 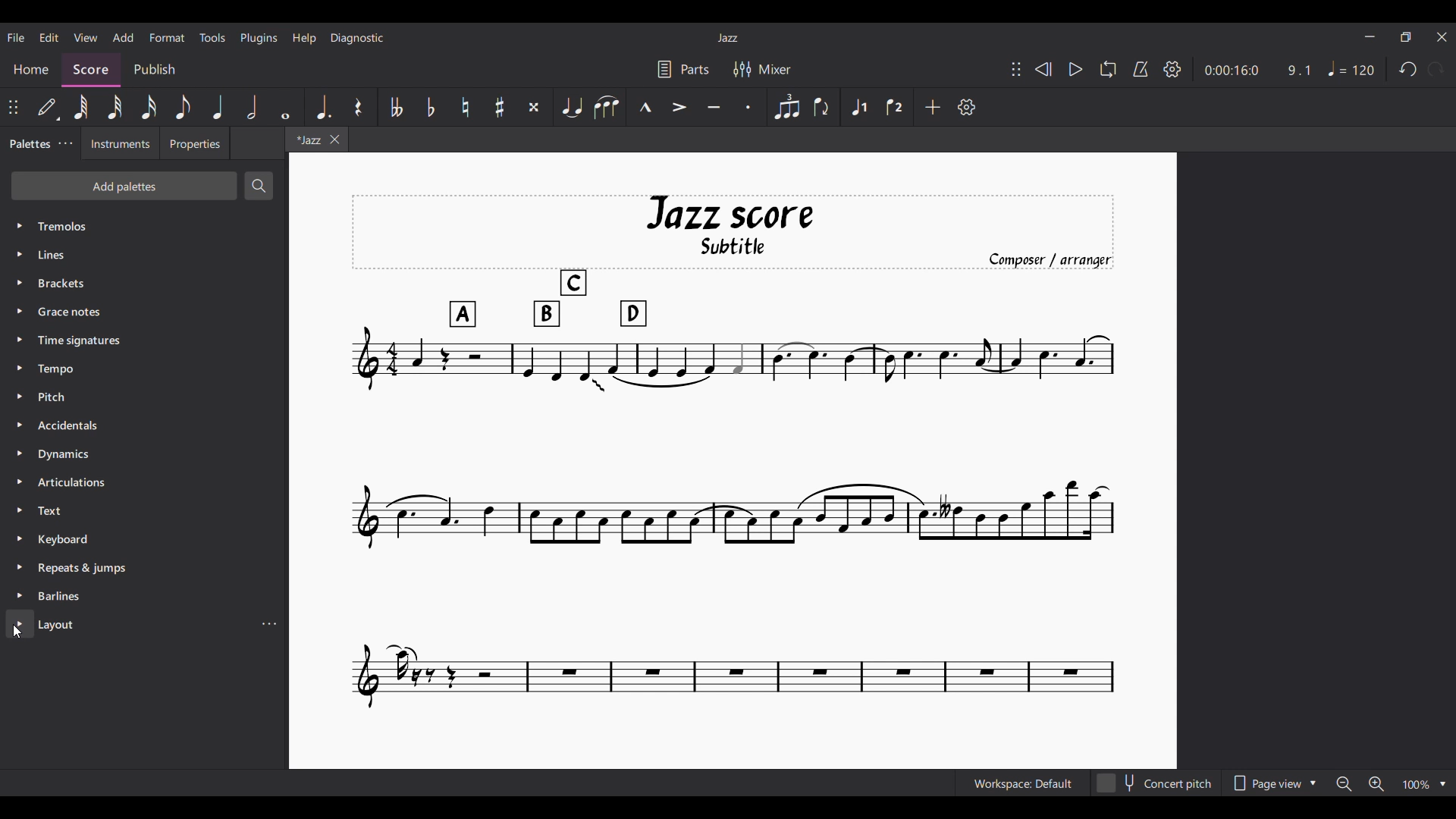 What do you see at coordinates (269, 624) in the screenshot?
I see `Layout settings` at bounding box center [269, 624].